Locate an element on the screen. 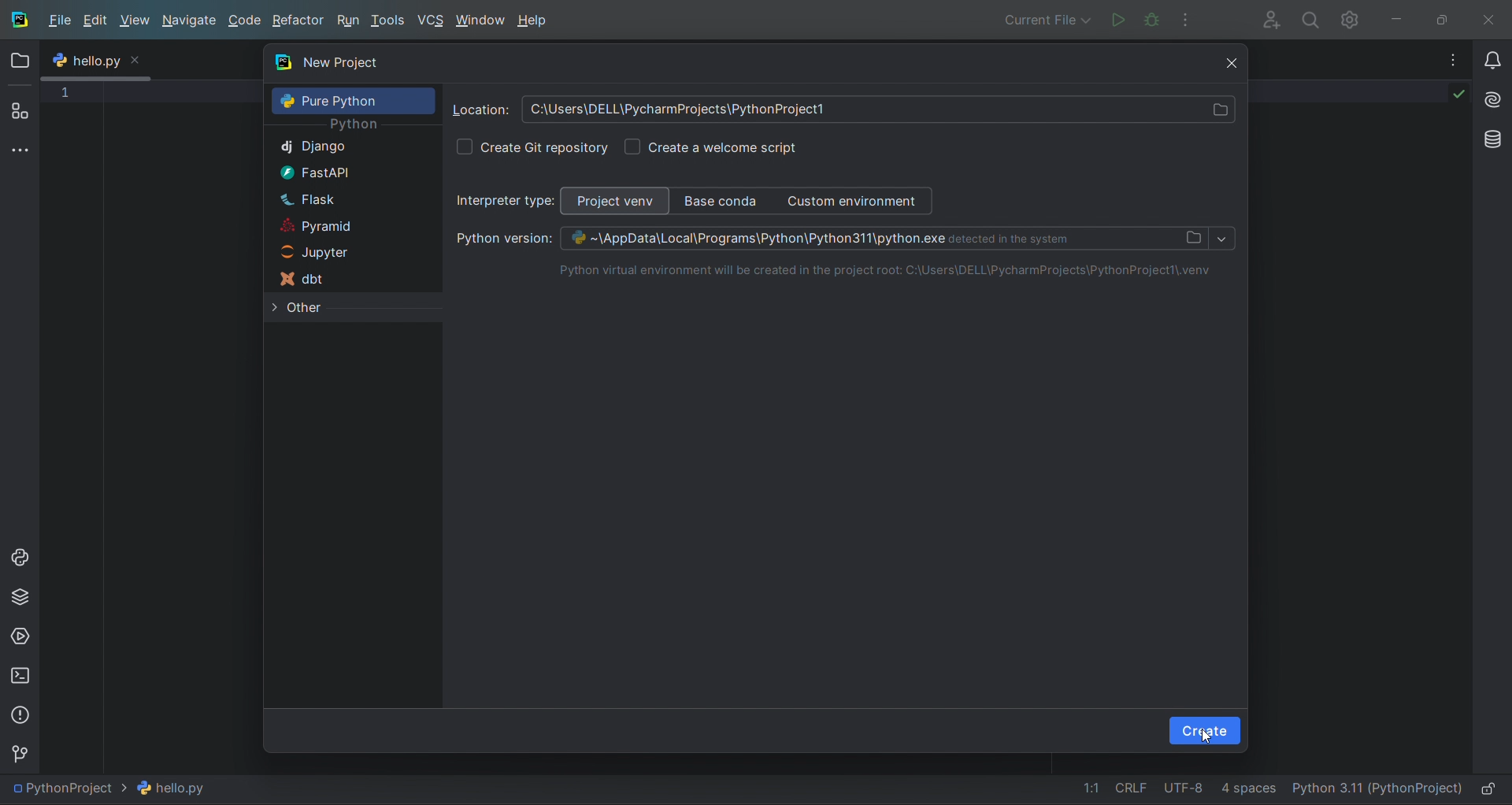  cursor is located at coordinates (1206, 737).